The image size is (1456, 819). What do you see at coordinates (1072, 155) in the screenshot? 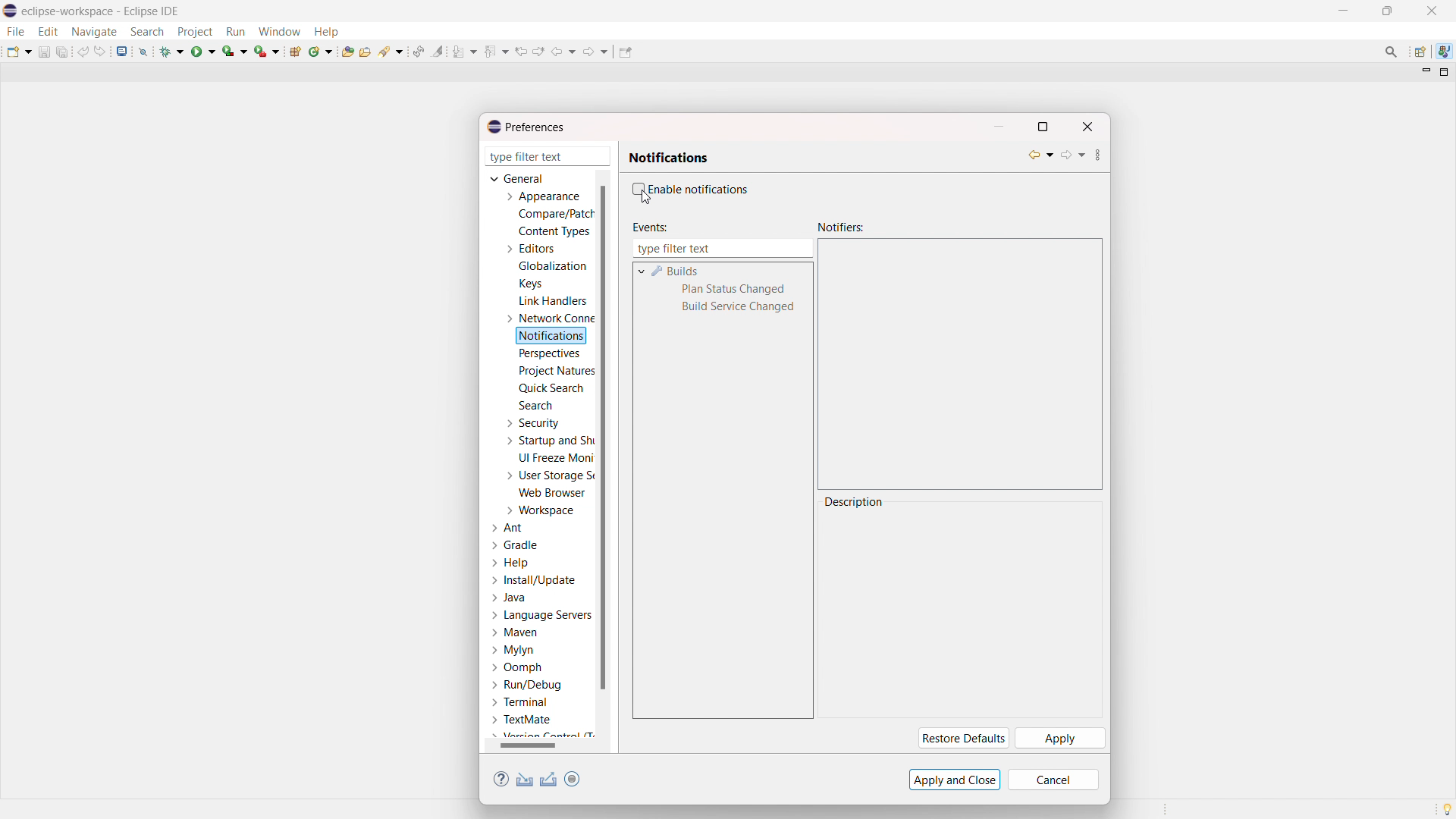
I see `forward` at bounding box center [1072, 155].